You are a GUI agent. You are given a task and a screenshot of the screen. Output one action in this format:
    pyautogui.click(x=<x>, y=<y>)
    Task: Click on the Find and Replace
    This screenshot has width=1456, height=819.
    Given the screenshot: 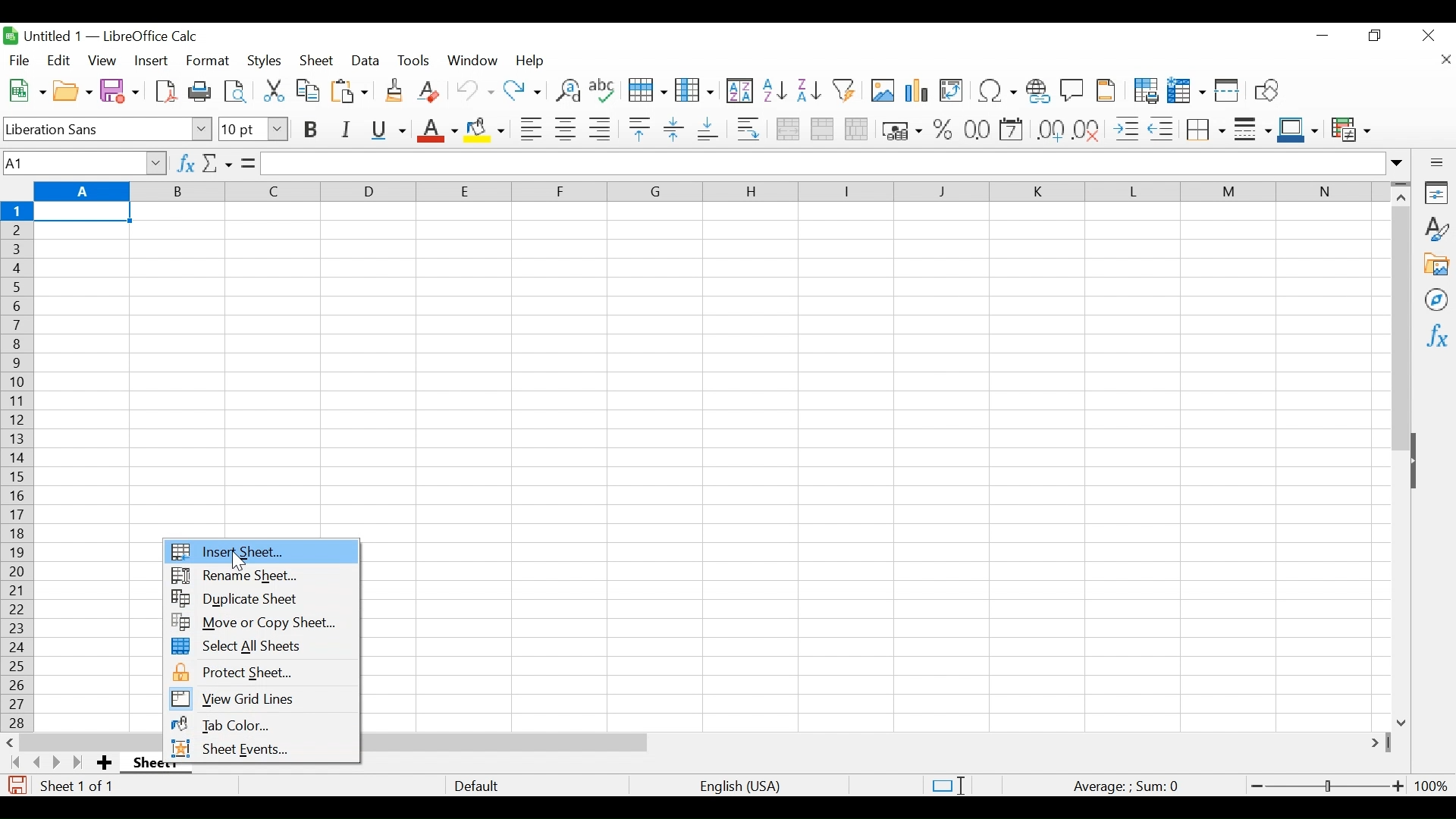 What is the action you would take?
    pyautogui.click(x=565, y=91)
    